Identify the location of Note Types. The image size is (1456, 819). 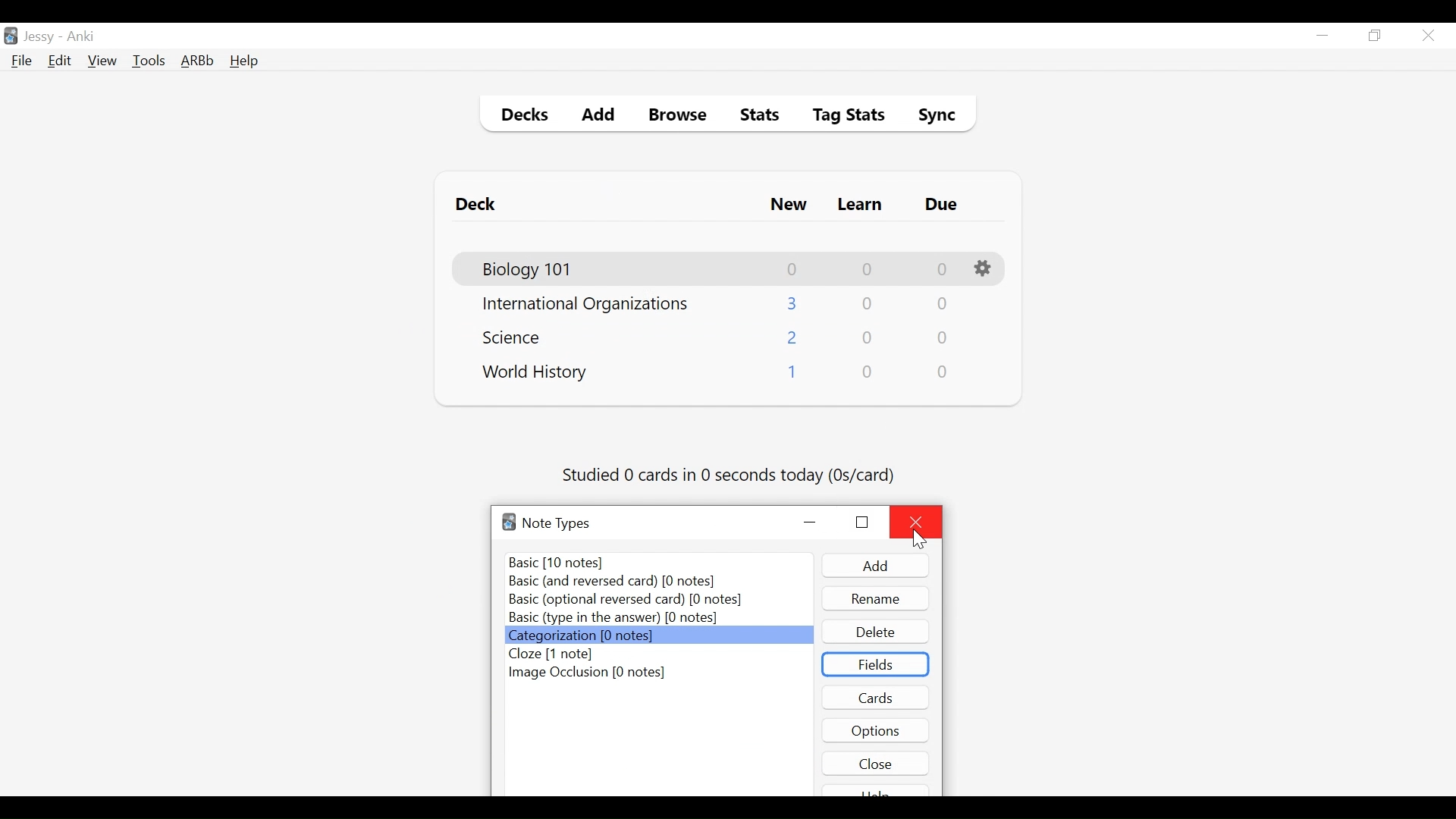
(557, 523).